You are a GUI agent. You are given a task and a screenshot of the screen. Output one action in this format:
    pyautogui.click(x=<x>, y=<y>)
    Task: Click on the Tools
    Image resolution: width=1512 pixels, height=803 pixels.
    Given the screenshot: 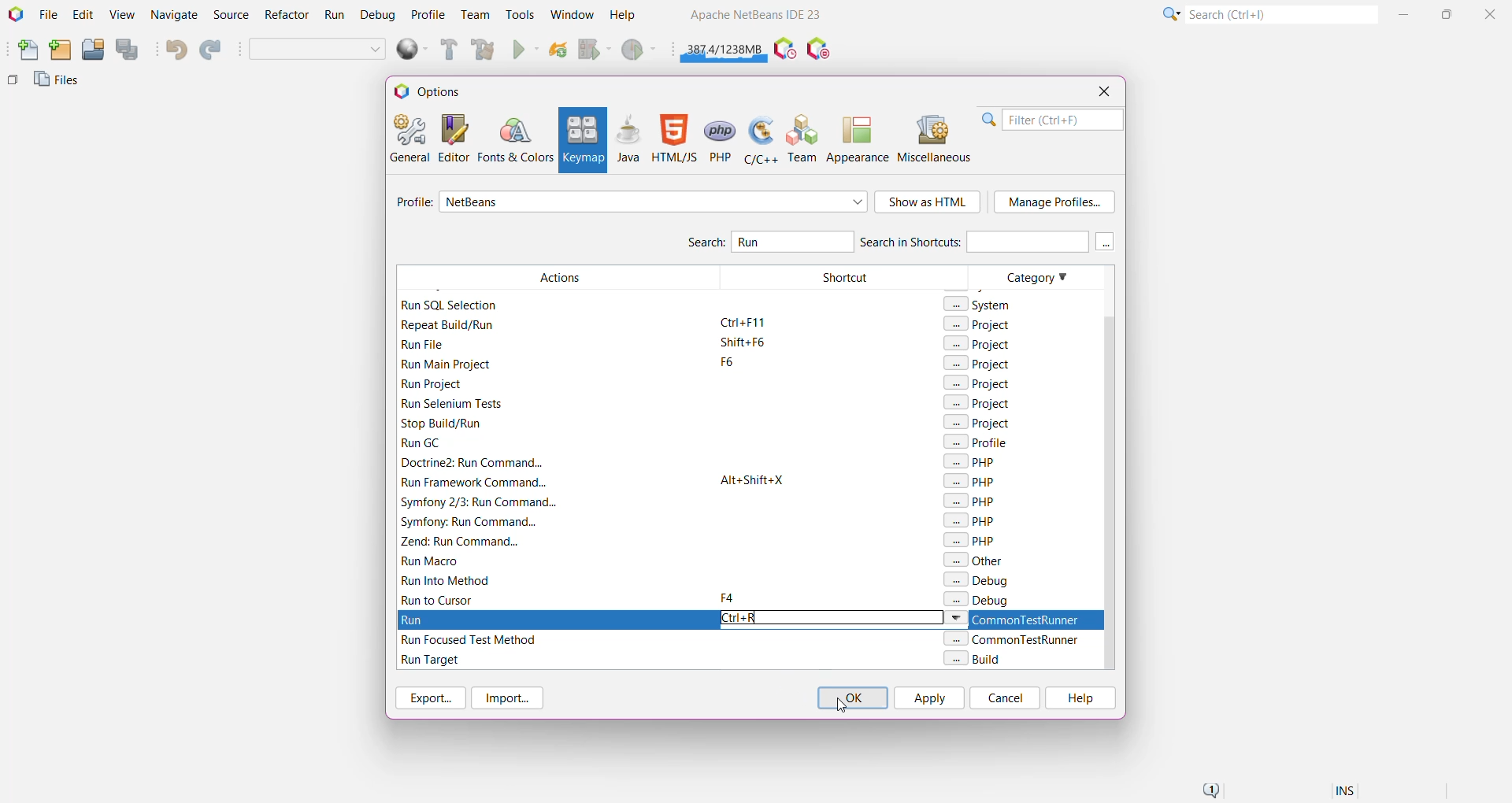 What is the action you would take?
    pyautogui.click(x=521, y=13)
    